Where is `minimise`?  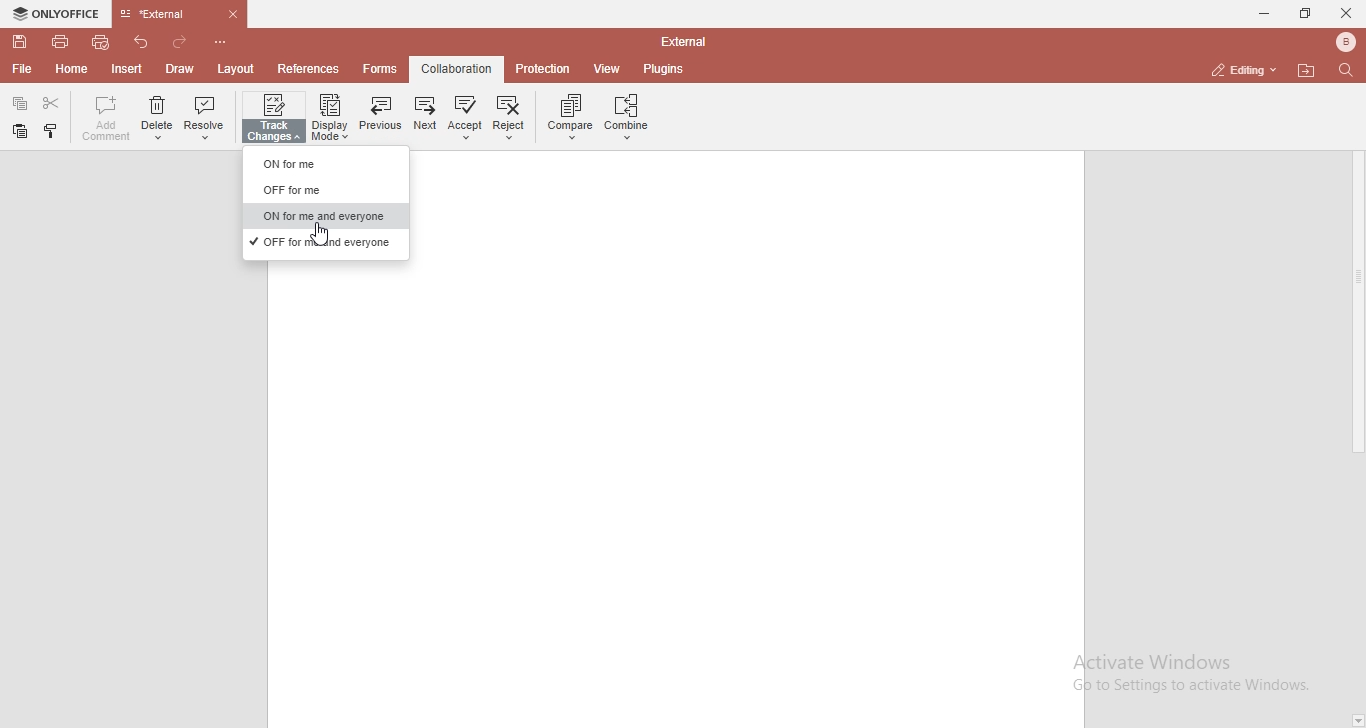
minimise is located at coordinates (1261, 13).